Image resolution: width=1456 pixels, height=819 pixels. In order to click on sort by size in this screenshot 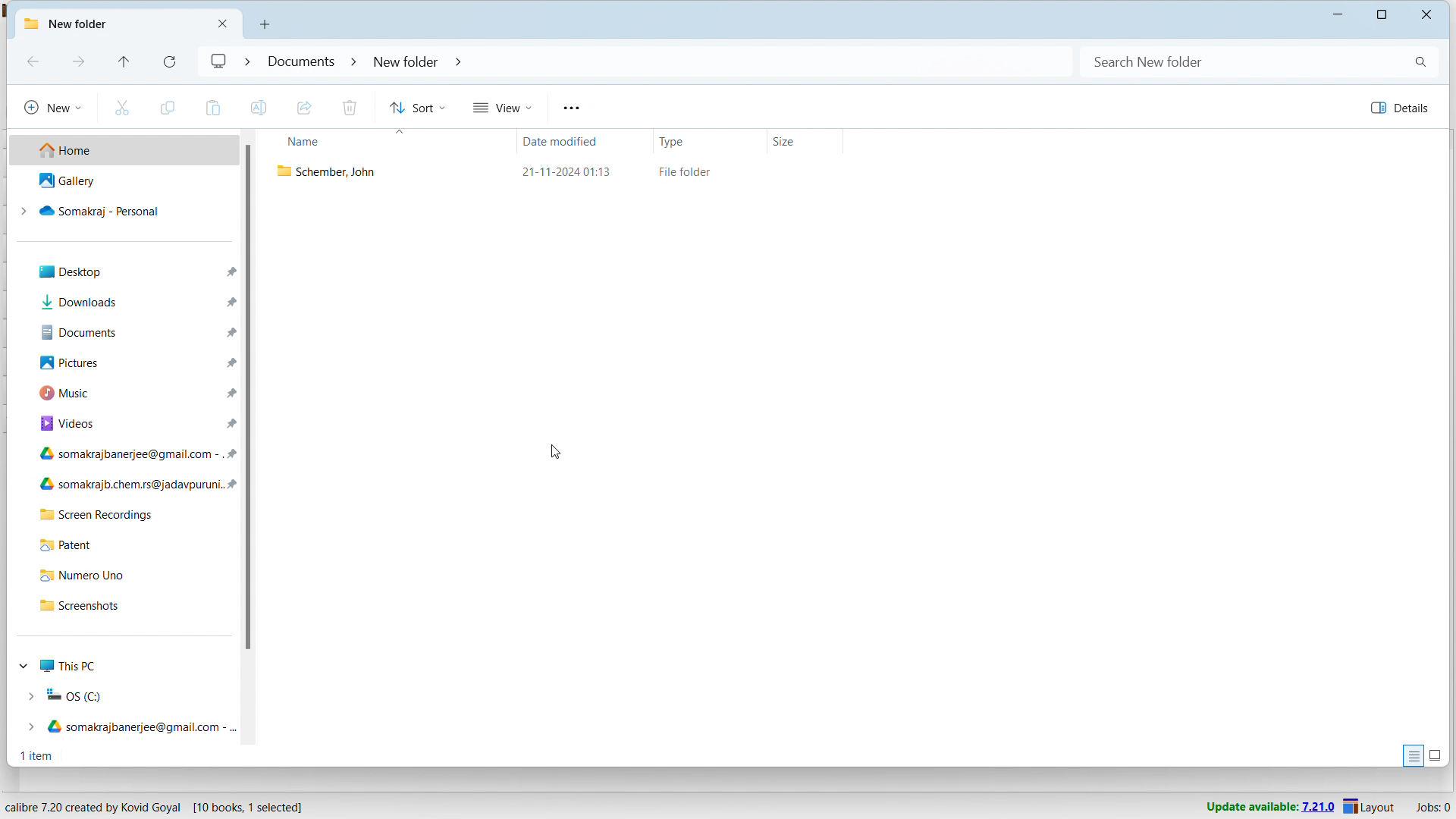, I will do `click(794, 140)`.